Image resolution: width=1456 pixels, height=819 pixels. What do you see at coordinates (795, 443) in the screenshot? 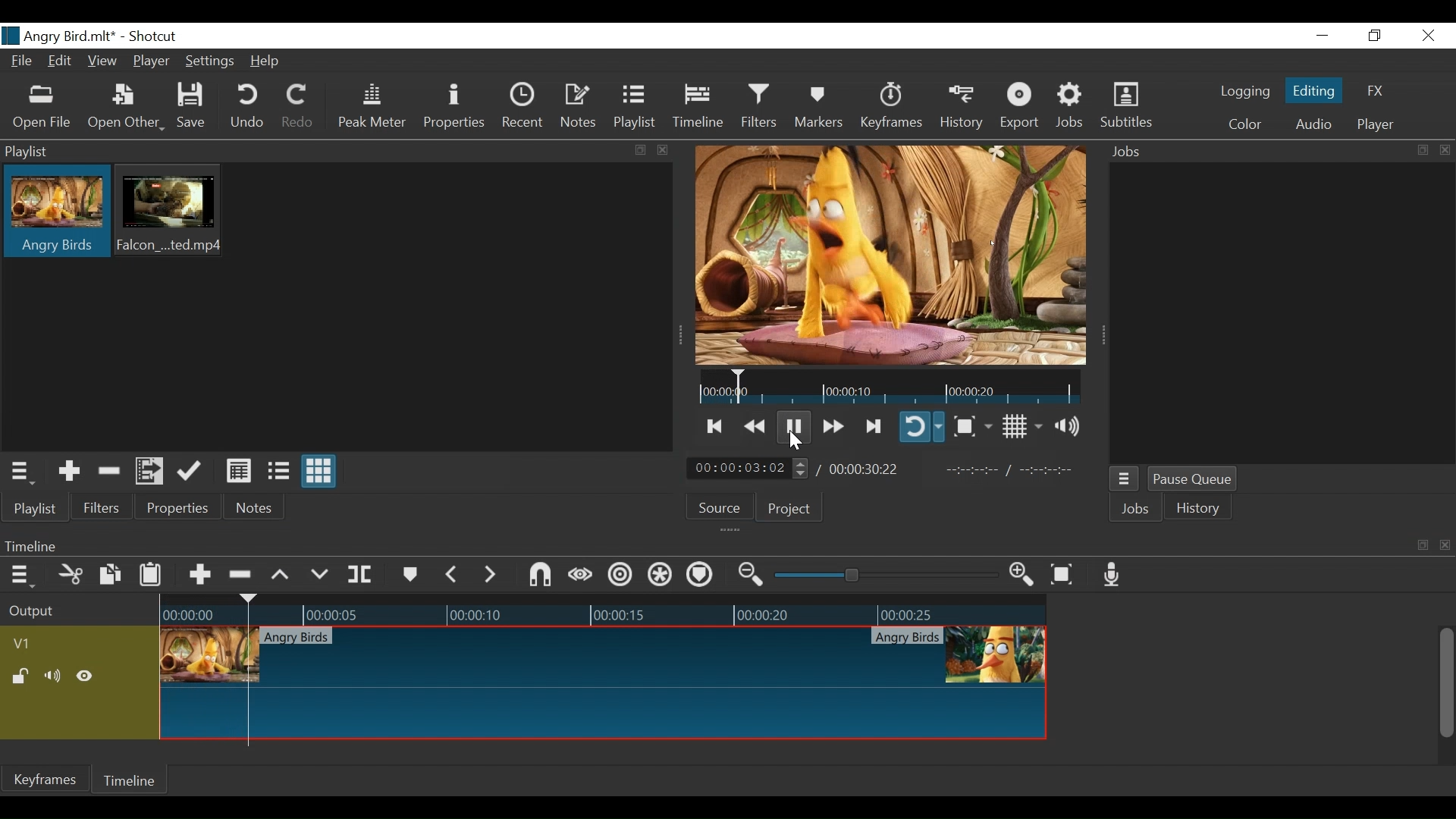
I see `Cursor` at bounding box center [795, 443].